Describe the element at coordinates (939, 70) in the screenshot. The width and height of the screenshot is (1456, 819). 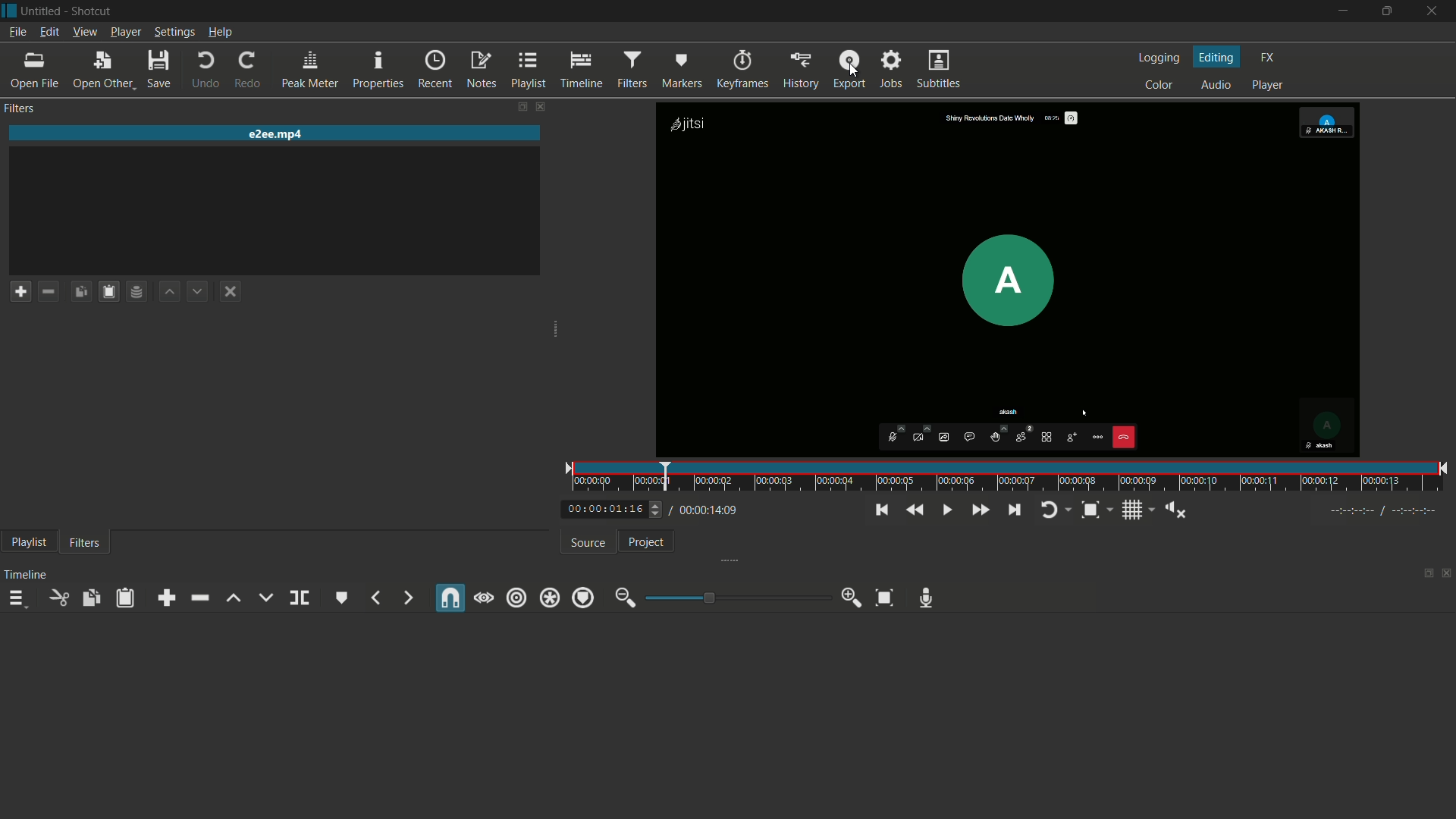
I see `subtitles` at that location.